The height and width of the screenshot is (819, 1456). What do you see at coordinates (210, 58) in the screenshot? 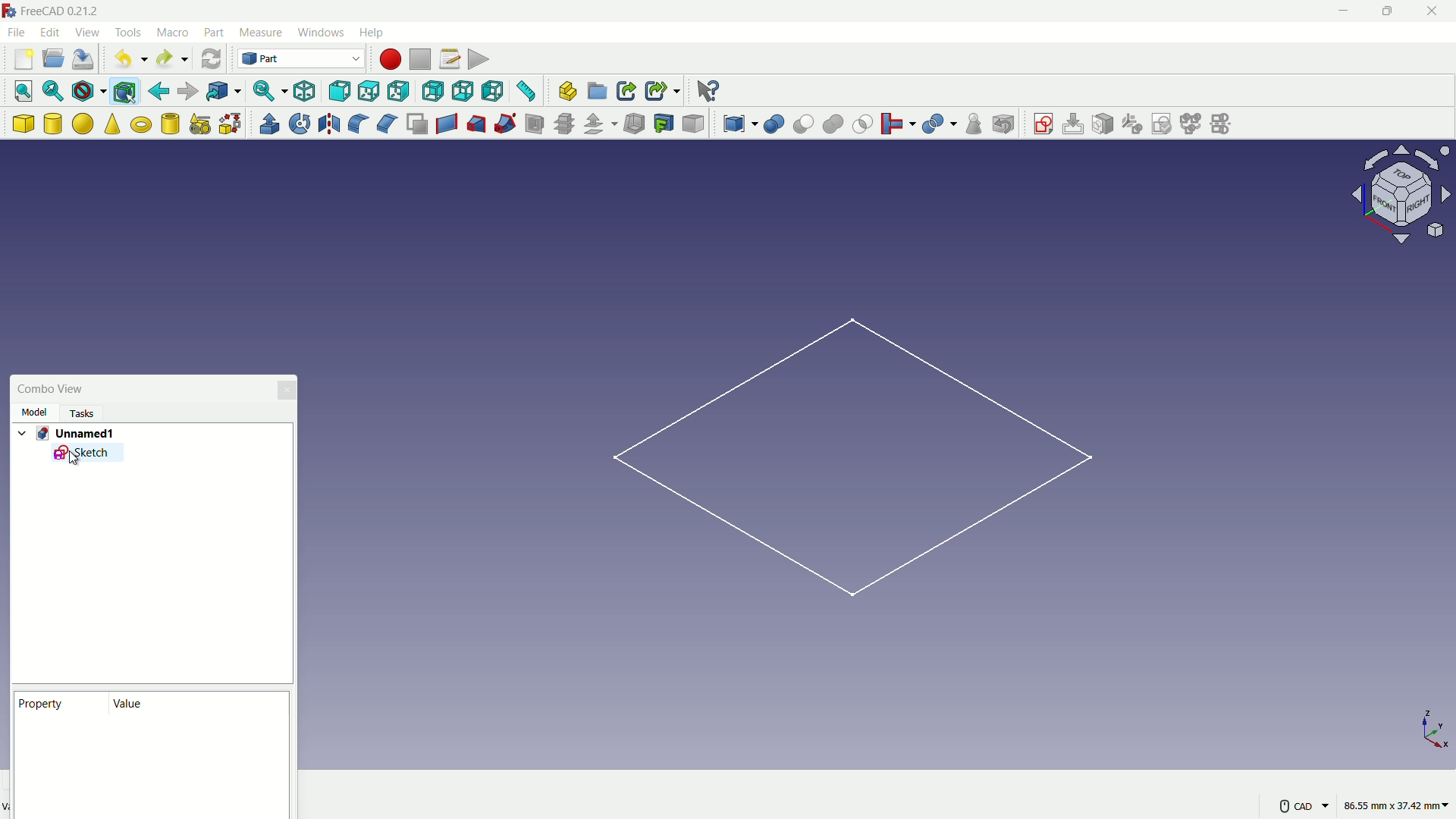
I see `refresh` at bounding box center [210, 58].